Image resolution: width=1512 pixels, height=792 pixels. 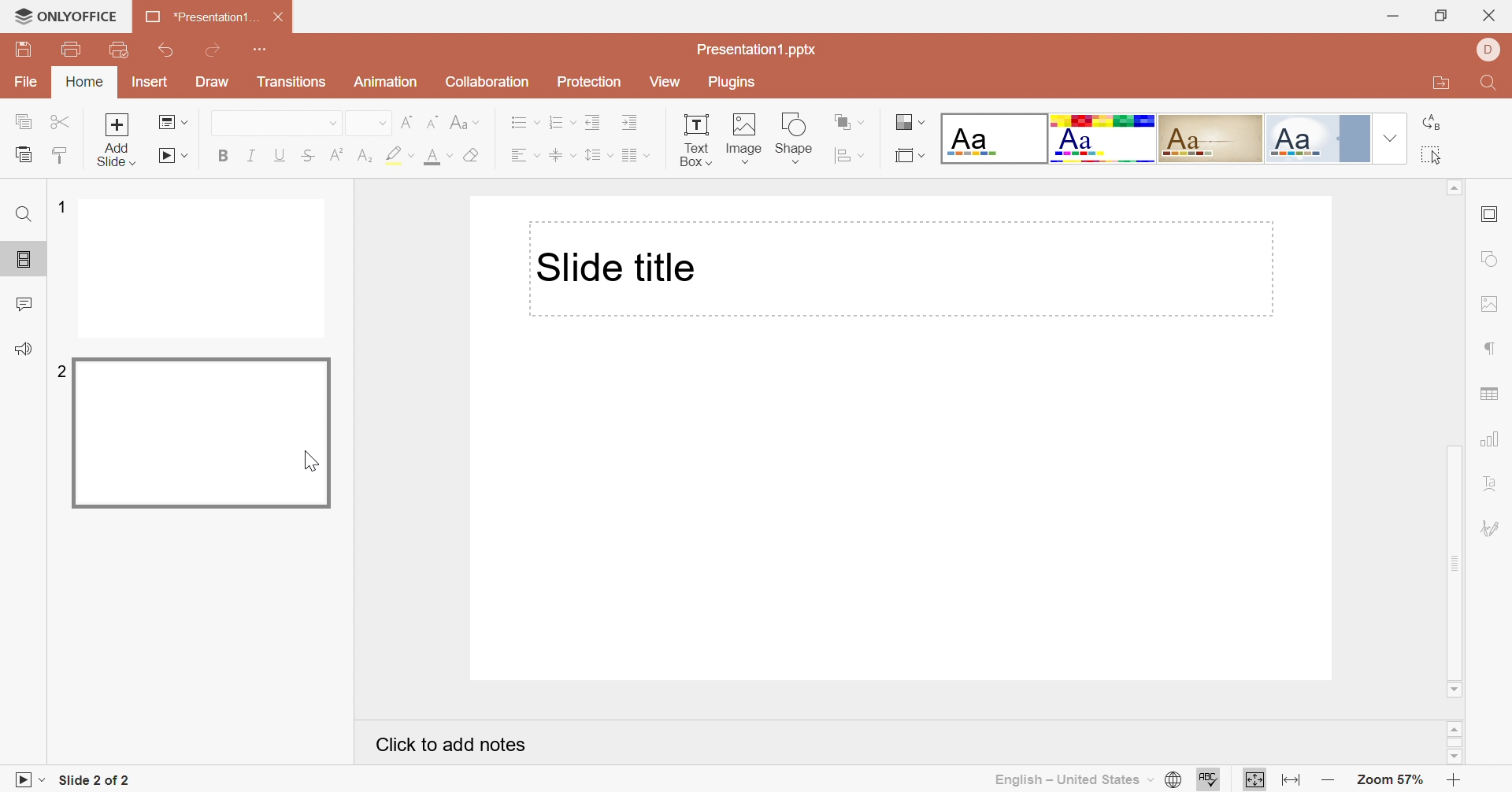 What do you see at coordinates (1075, 780) in the screenshot?
I see `English - United States` at bounding box center [1075, 780].